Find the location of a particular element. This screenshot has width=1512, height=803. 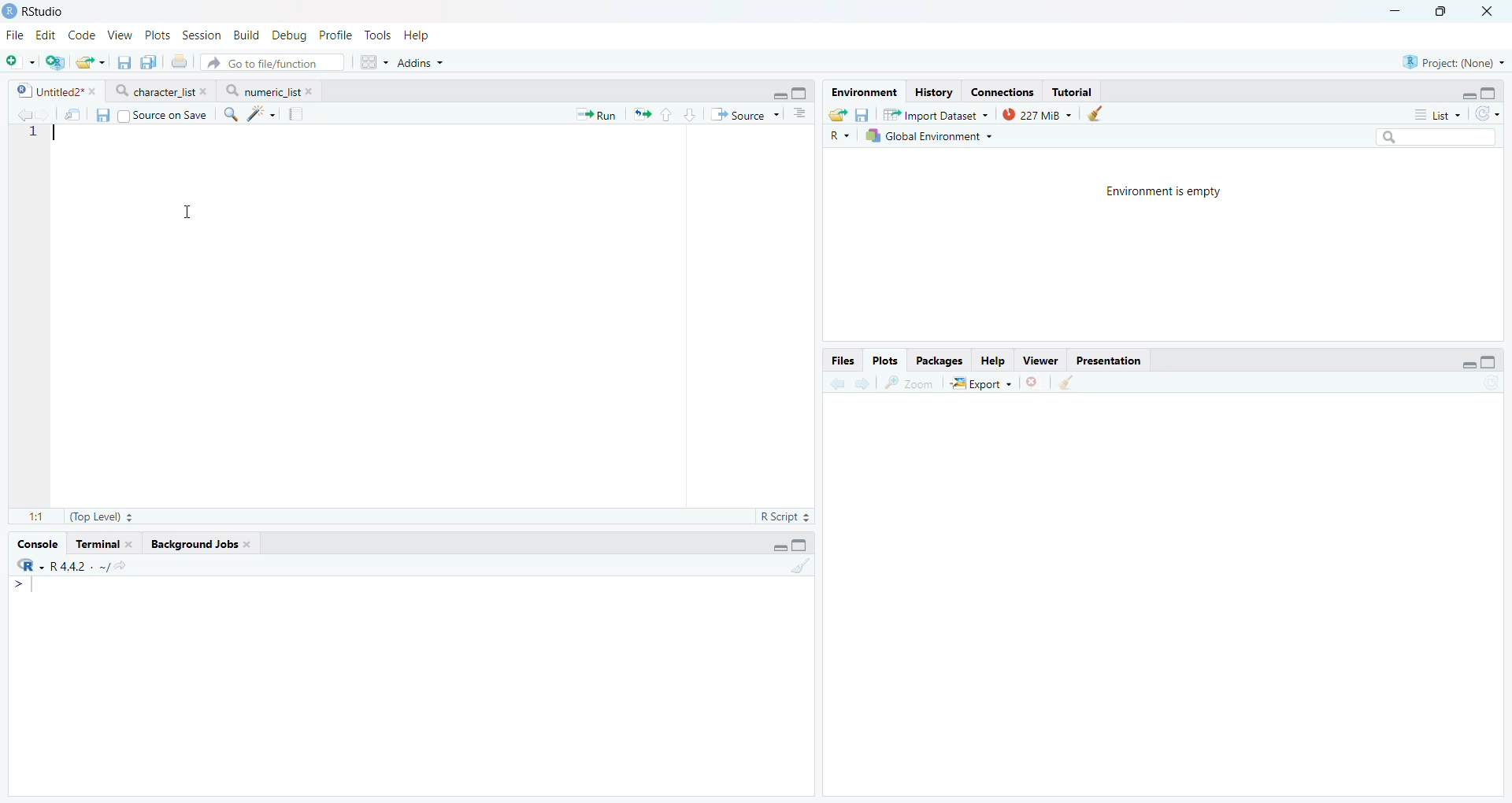

Code editor is located at coordinates (367, 314).